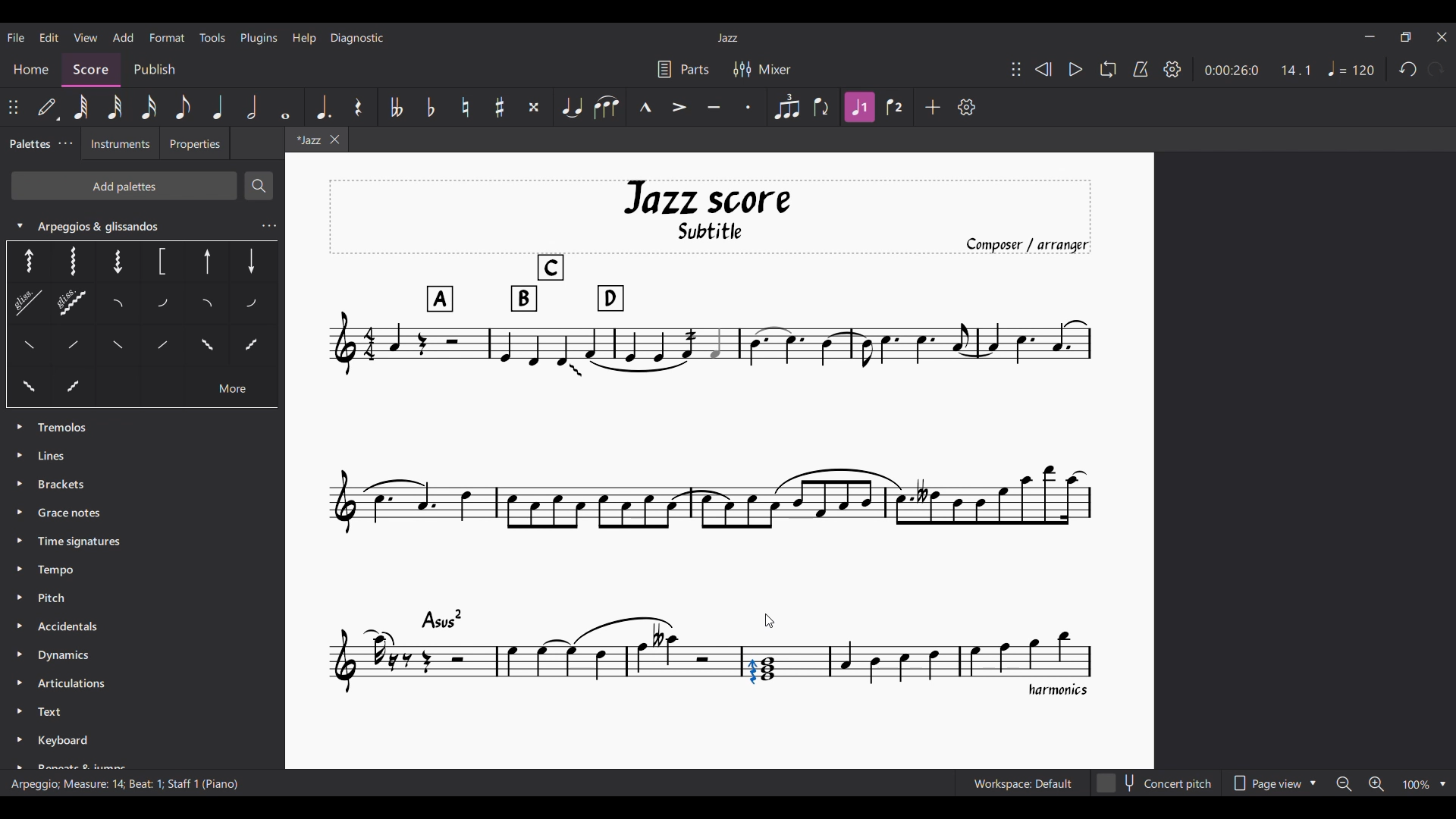 Image resolution: width=1456 pixels, height=819 pixels. What do you see at coordinates (356, 38) in the screenshot?
I see `Diagnostic menu` at bounding box center [356, 38].